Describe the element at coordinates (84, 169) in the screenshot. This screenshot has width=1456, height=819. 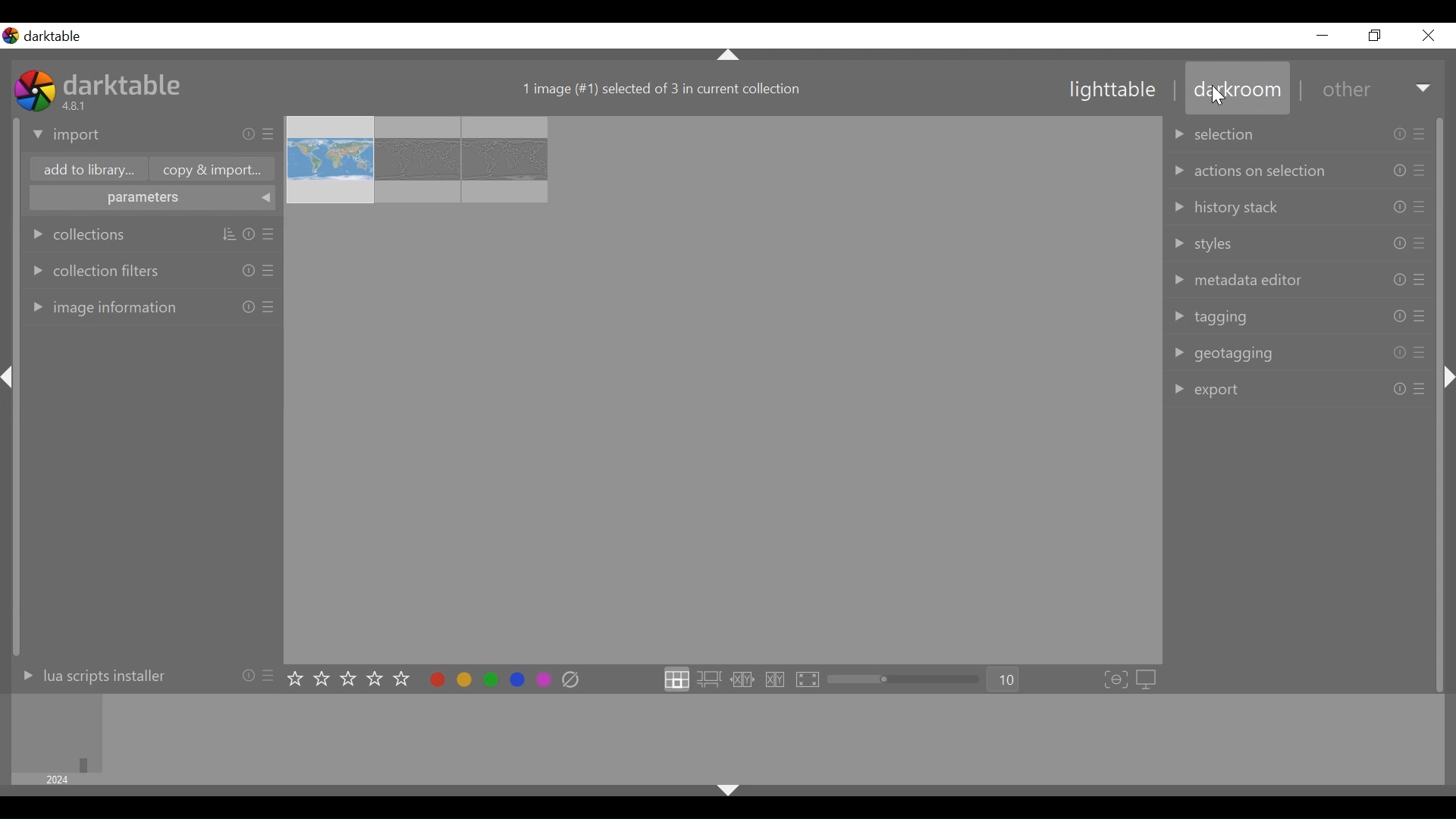
I see `Add to library` at that location.